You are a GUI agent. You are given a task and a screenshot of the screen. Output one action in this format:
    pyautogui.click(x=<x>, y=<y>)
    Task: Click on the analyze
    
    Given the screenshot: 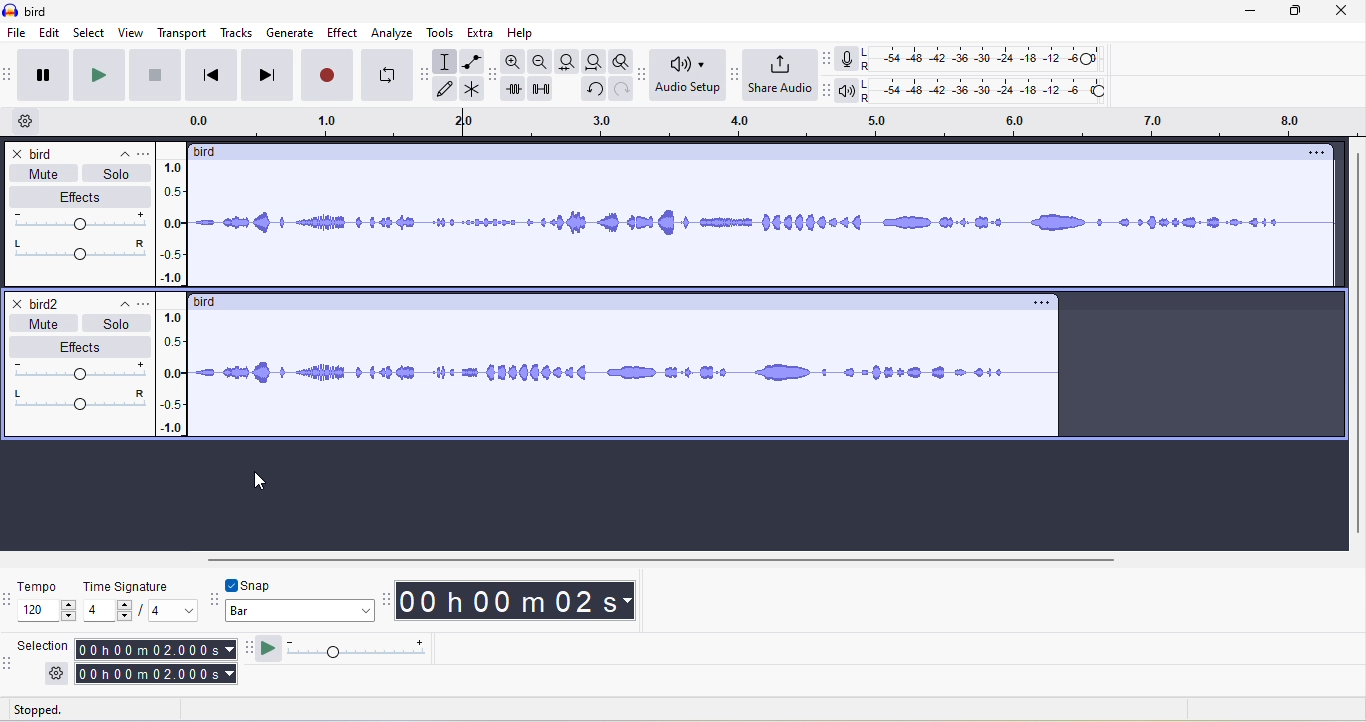 What is the action you would take?
    pyautogui.click(x=391, y=31)
    